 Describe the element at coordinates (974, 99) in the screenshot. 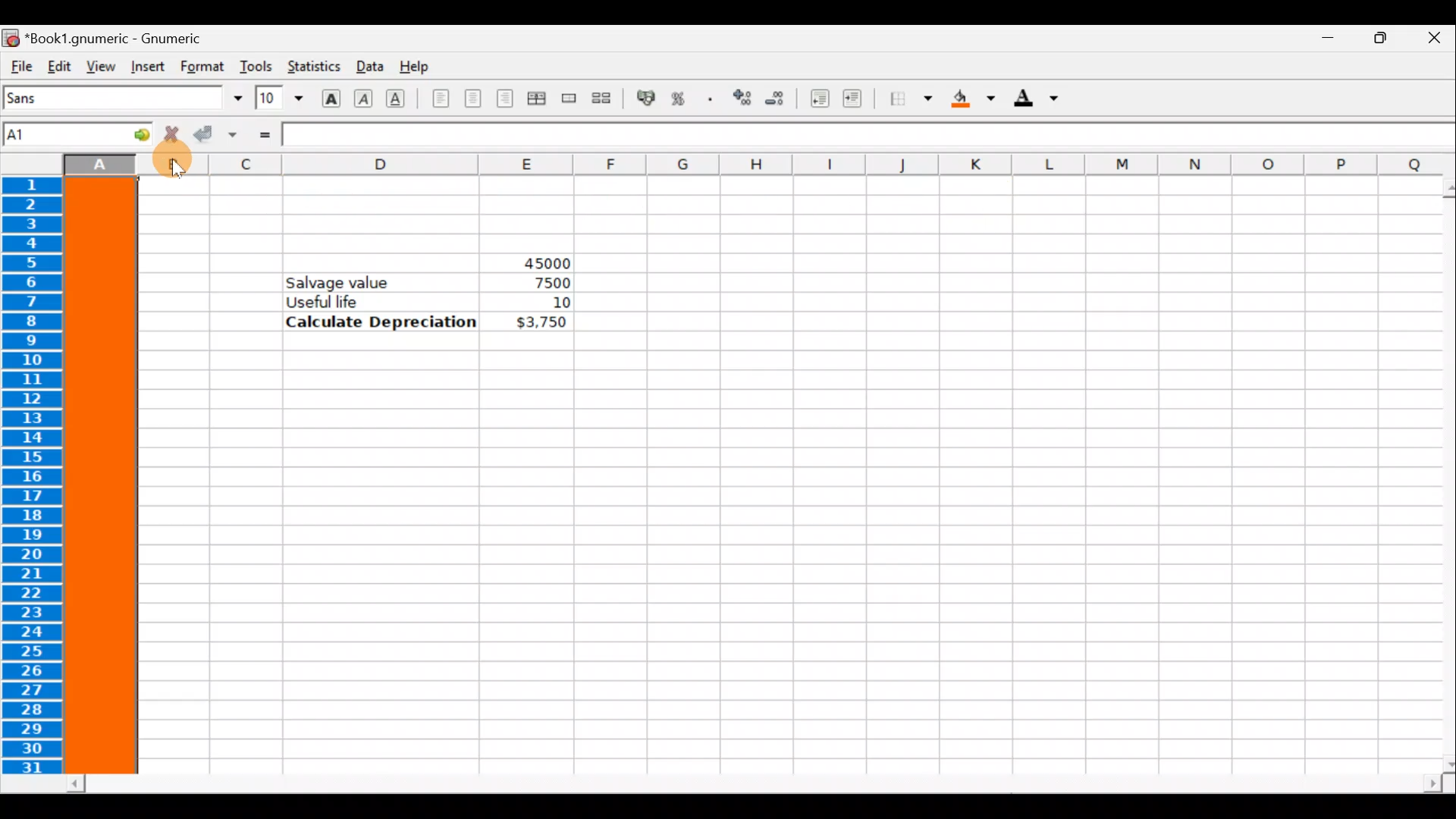

I see `Background` at that location.